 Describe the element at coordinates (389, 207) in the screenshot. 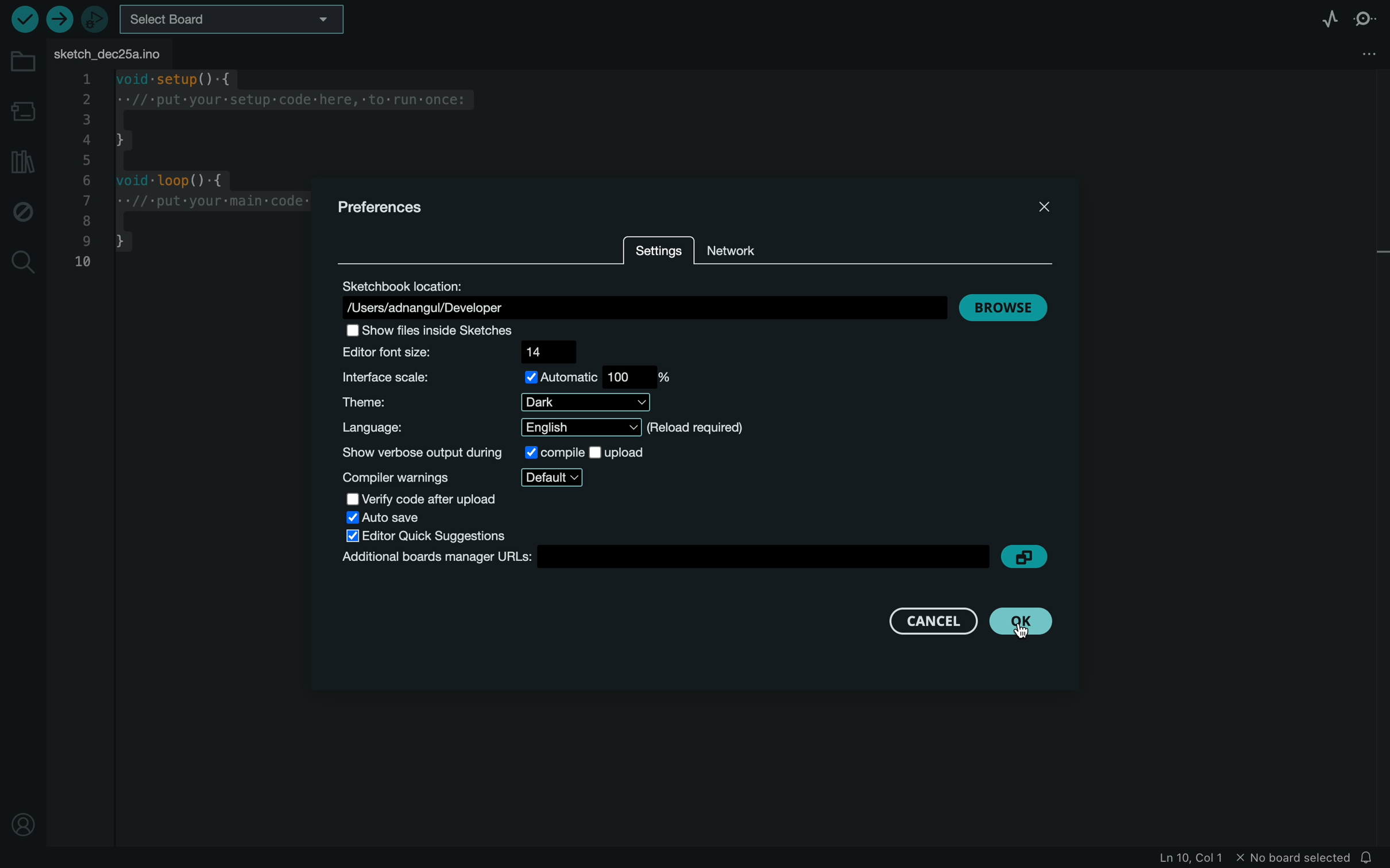

I see `prefernces` at that location.